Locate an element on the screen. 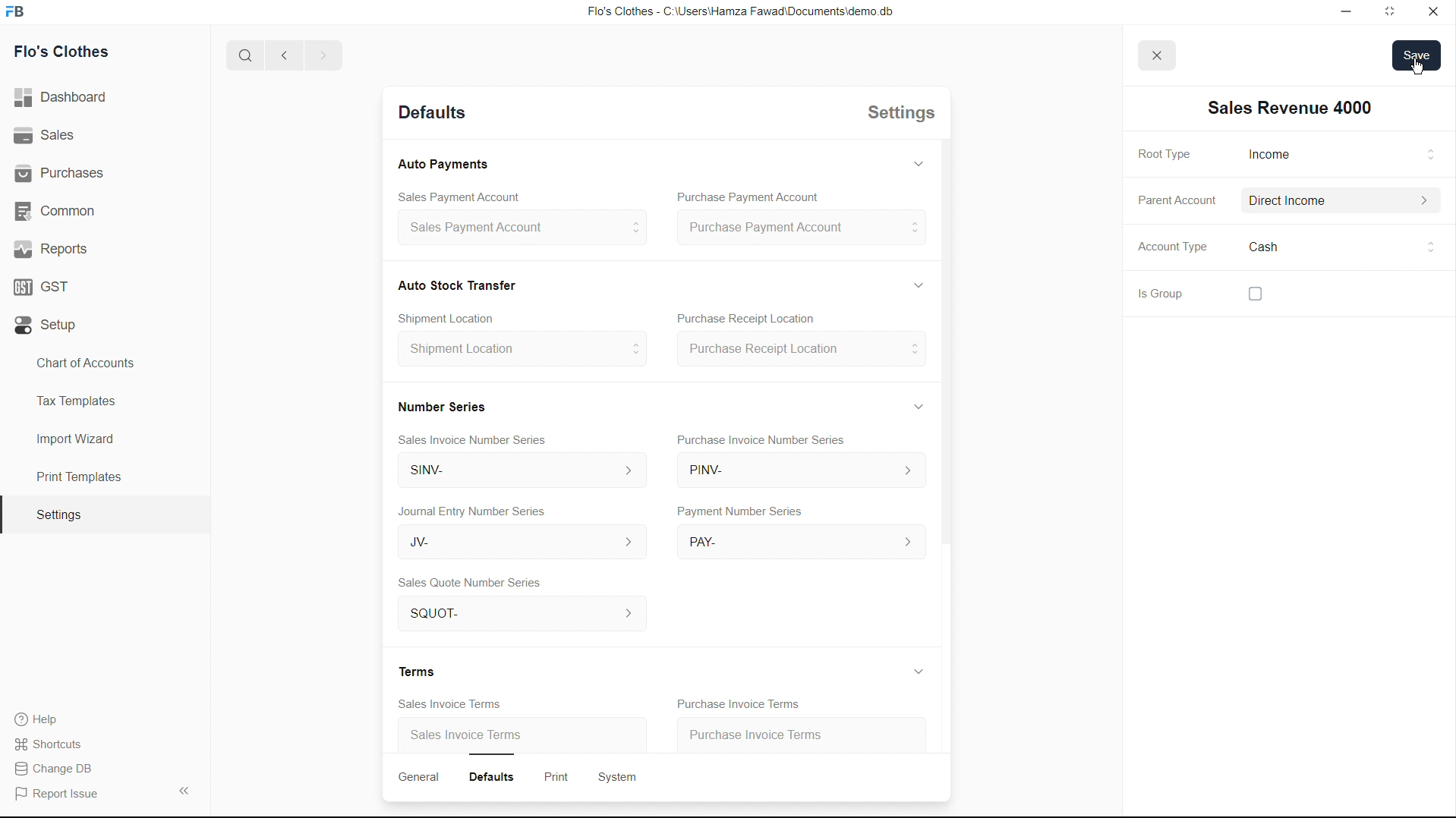 Image resolution: width=1456 pixels, height=818 pixels. Forward is located at coordinates (323, 55).